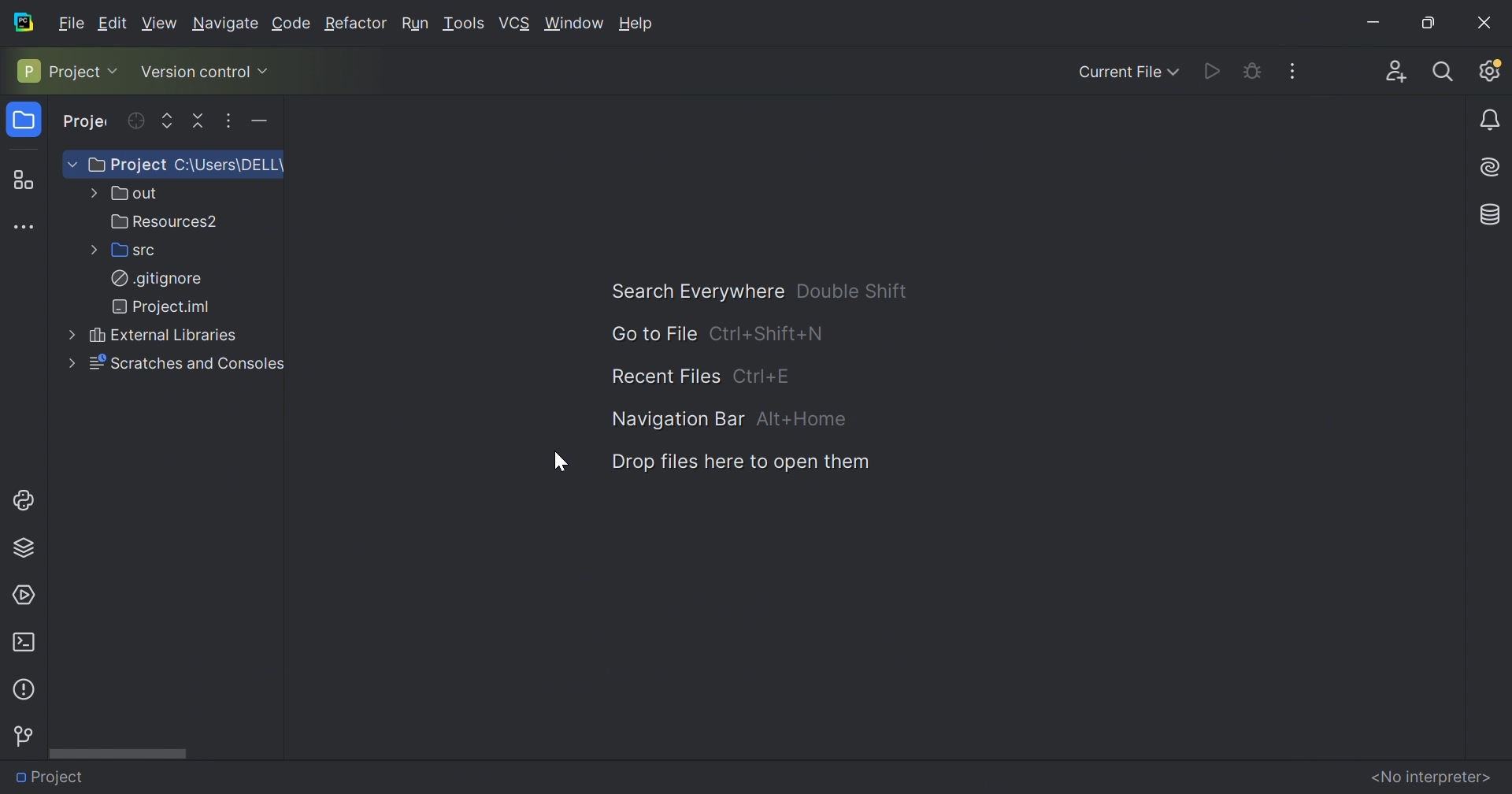 The image size is (1512, 794). I want to click on Minimize, so click(1370, 21).